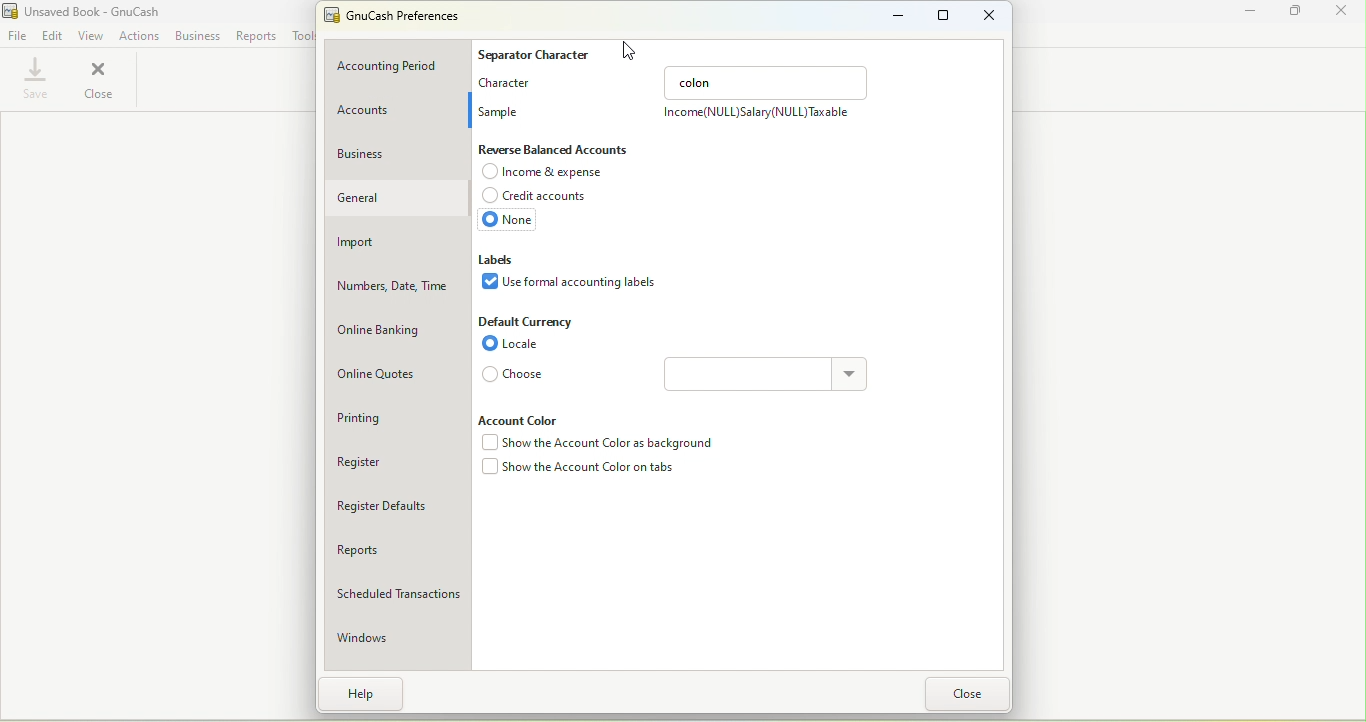 The height and width of the screenshot is (722, 1366). What do you see at coordinates (507, 222) in the screenshot?
I see `None` at bounding box center [507, 222].